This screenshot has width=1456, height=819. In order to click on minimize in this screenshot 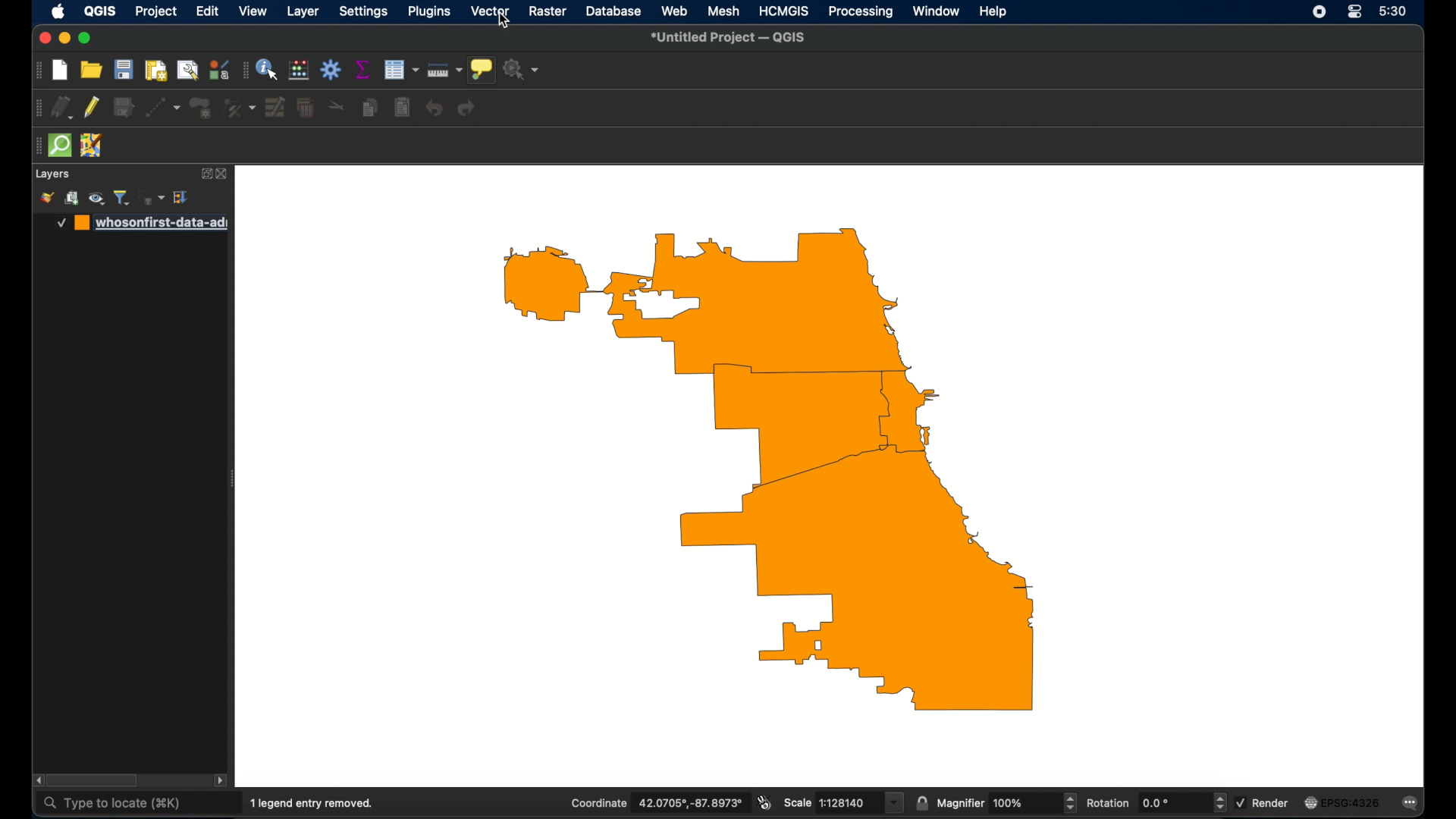, I will do `click(65, 38)`.